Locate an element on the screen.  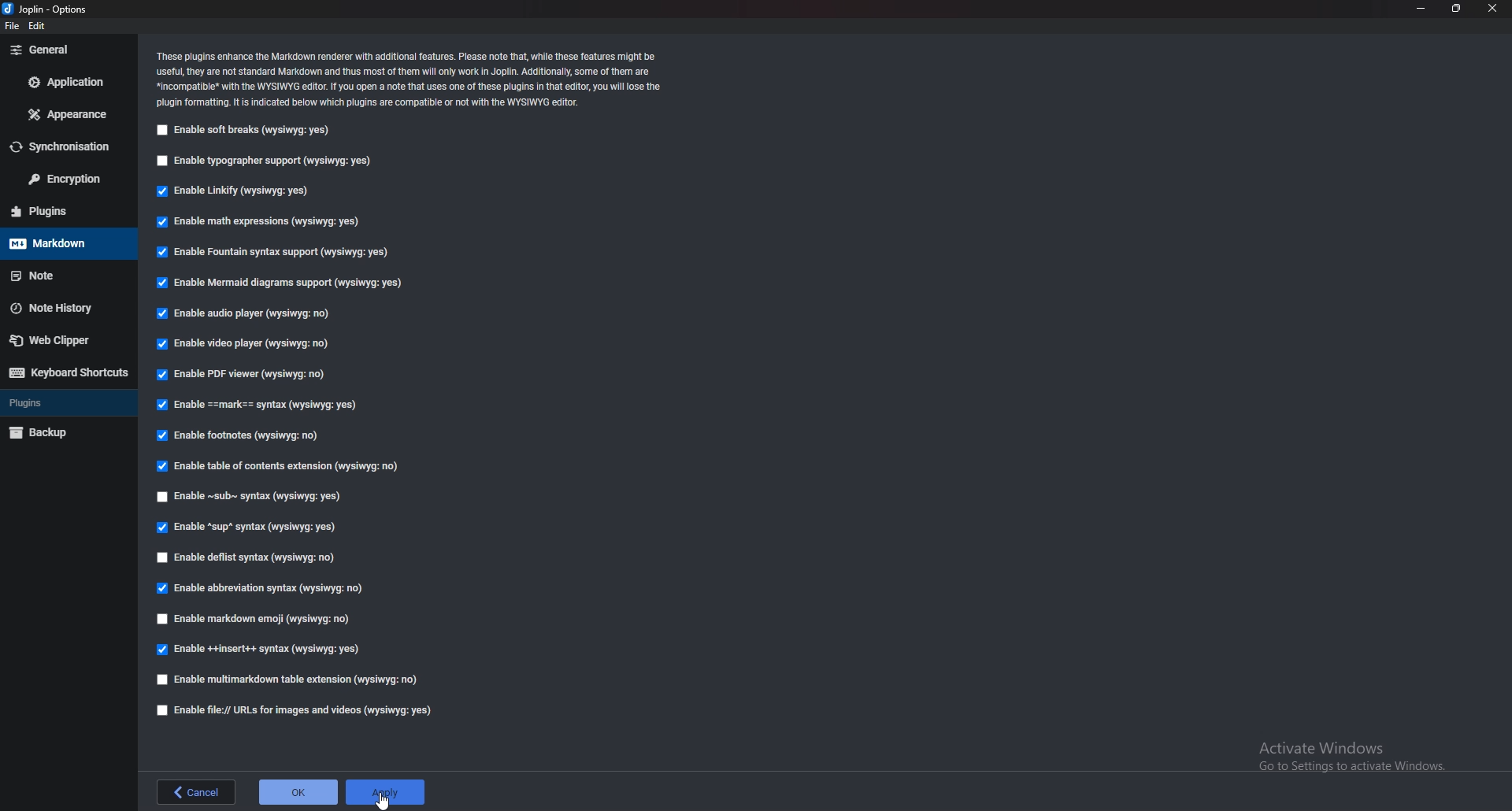
general is located at coordinates (69, 50).